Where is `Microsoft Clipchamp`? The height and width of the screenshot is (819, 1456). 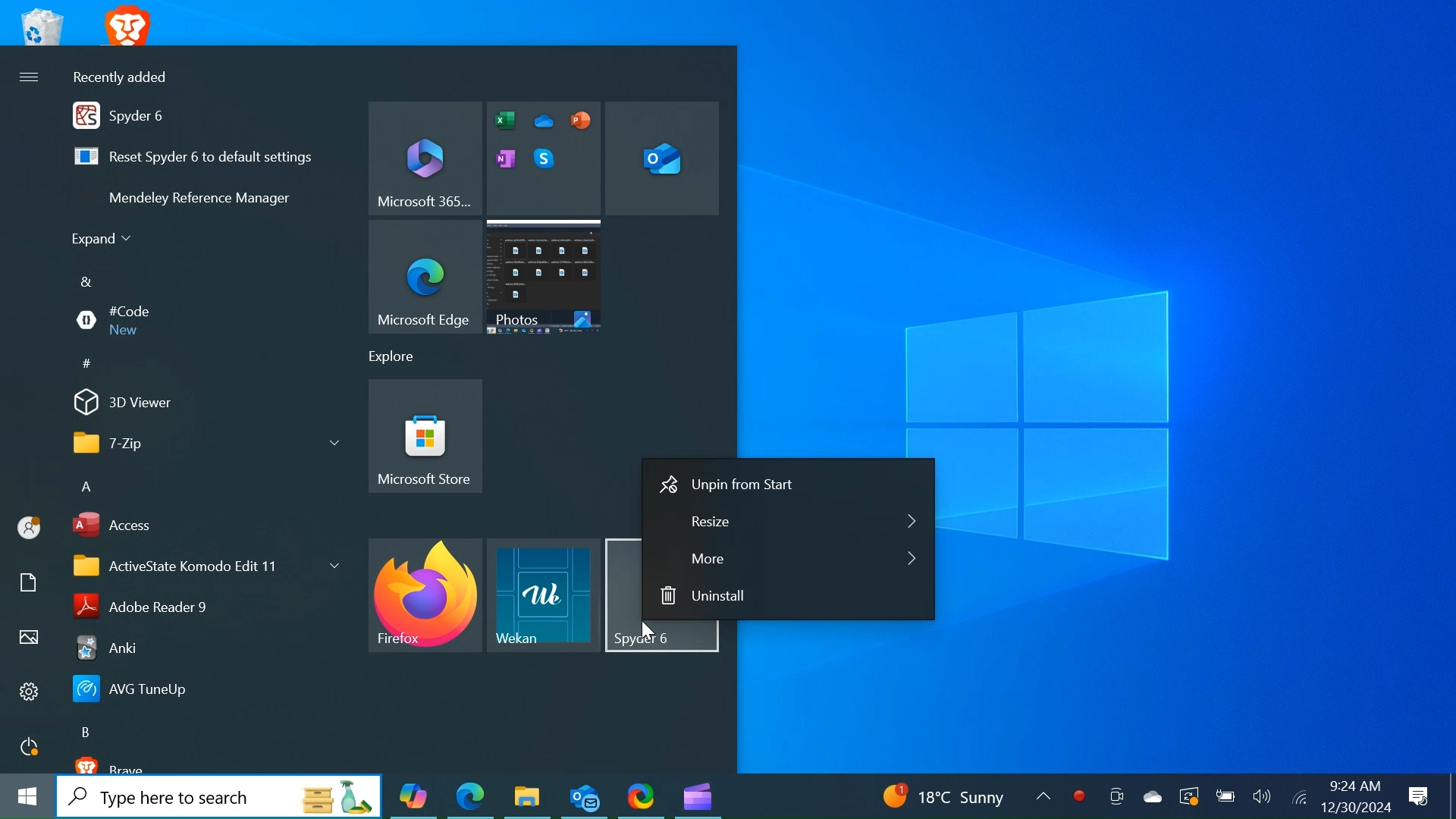 Microsoft Clipchamp is located at coordinates (698, 796).